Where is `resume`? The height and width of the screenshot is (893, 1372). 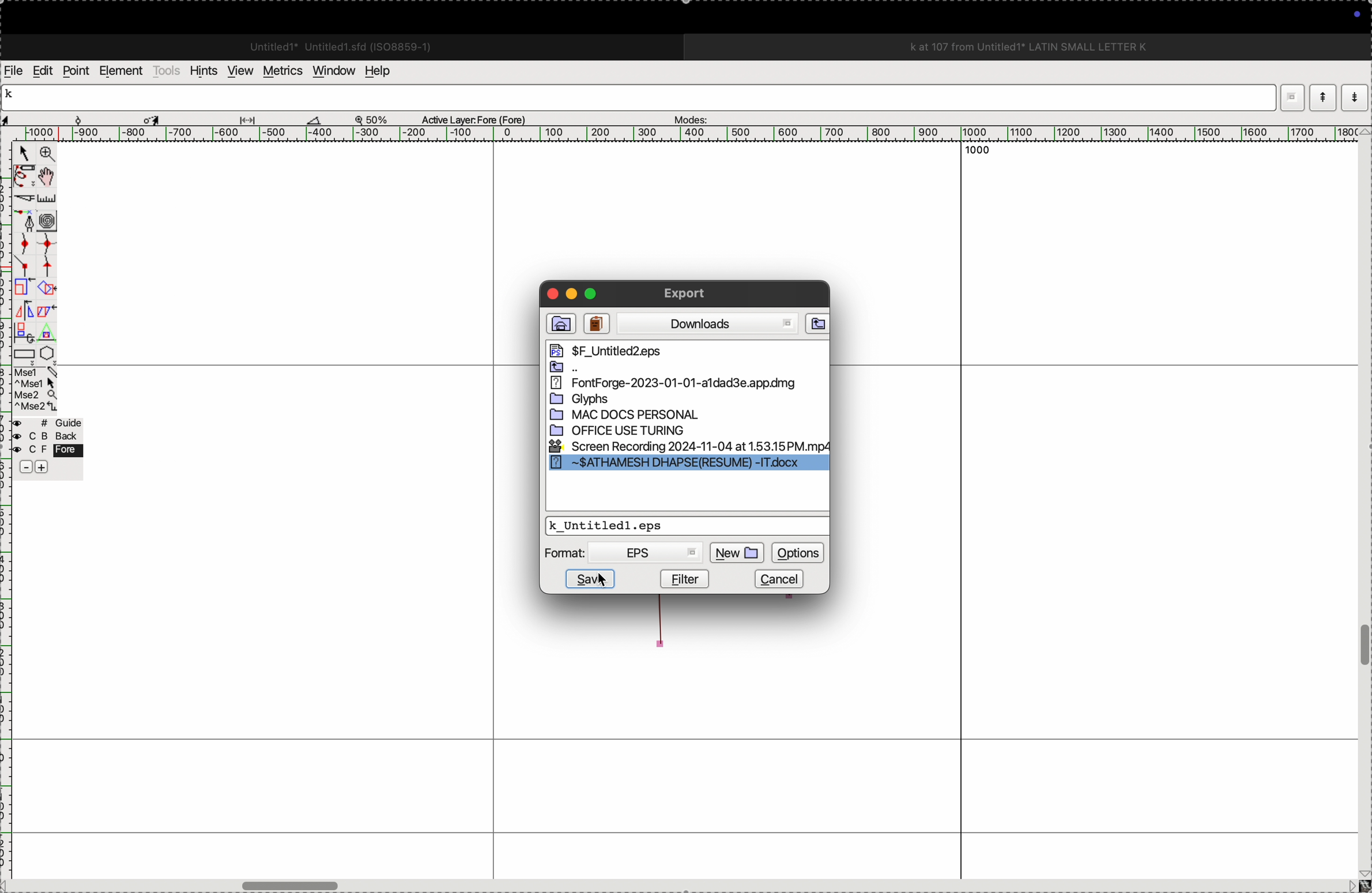
resume is located at coordinates (689, 466).